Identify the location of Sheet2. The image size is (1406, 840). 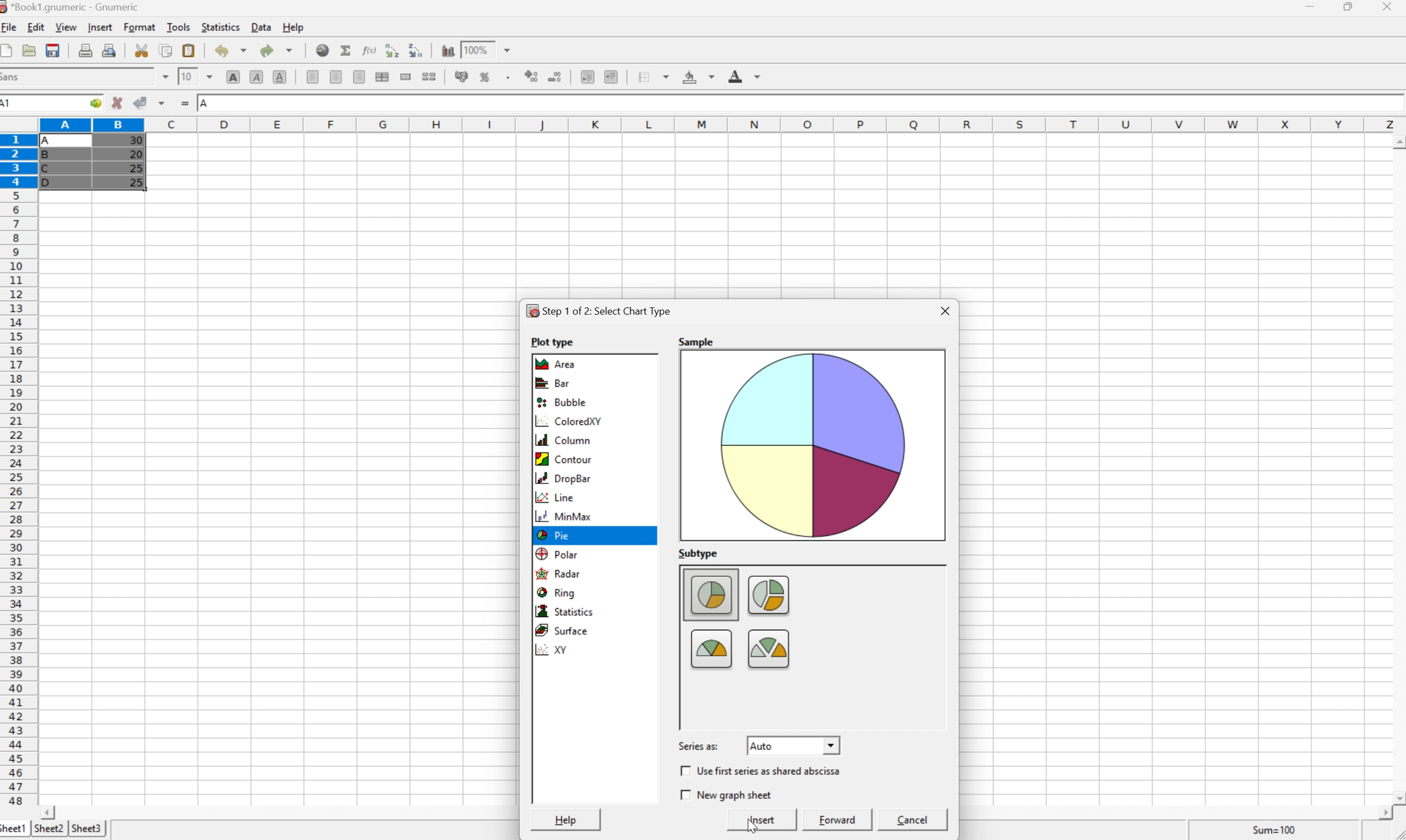
(49, 829).